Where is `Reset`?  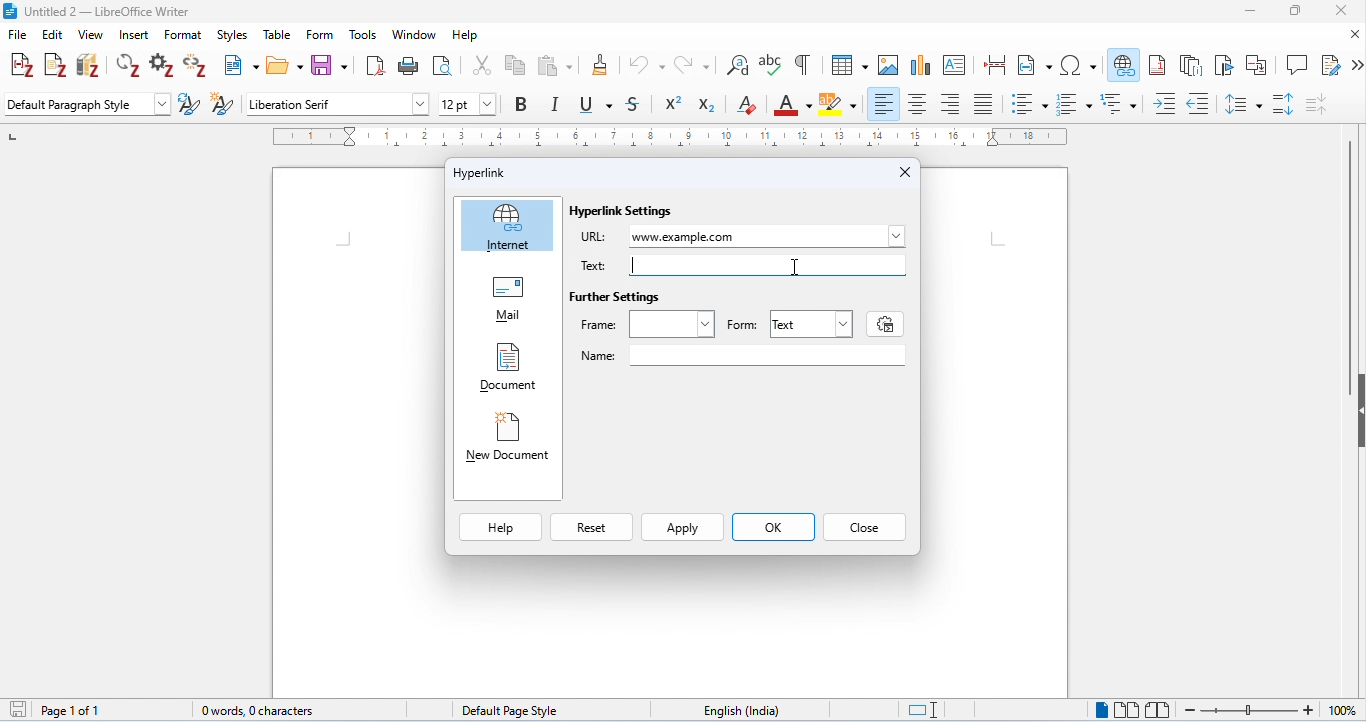
Reset is located at coordinates (598, 525).